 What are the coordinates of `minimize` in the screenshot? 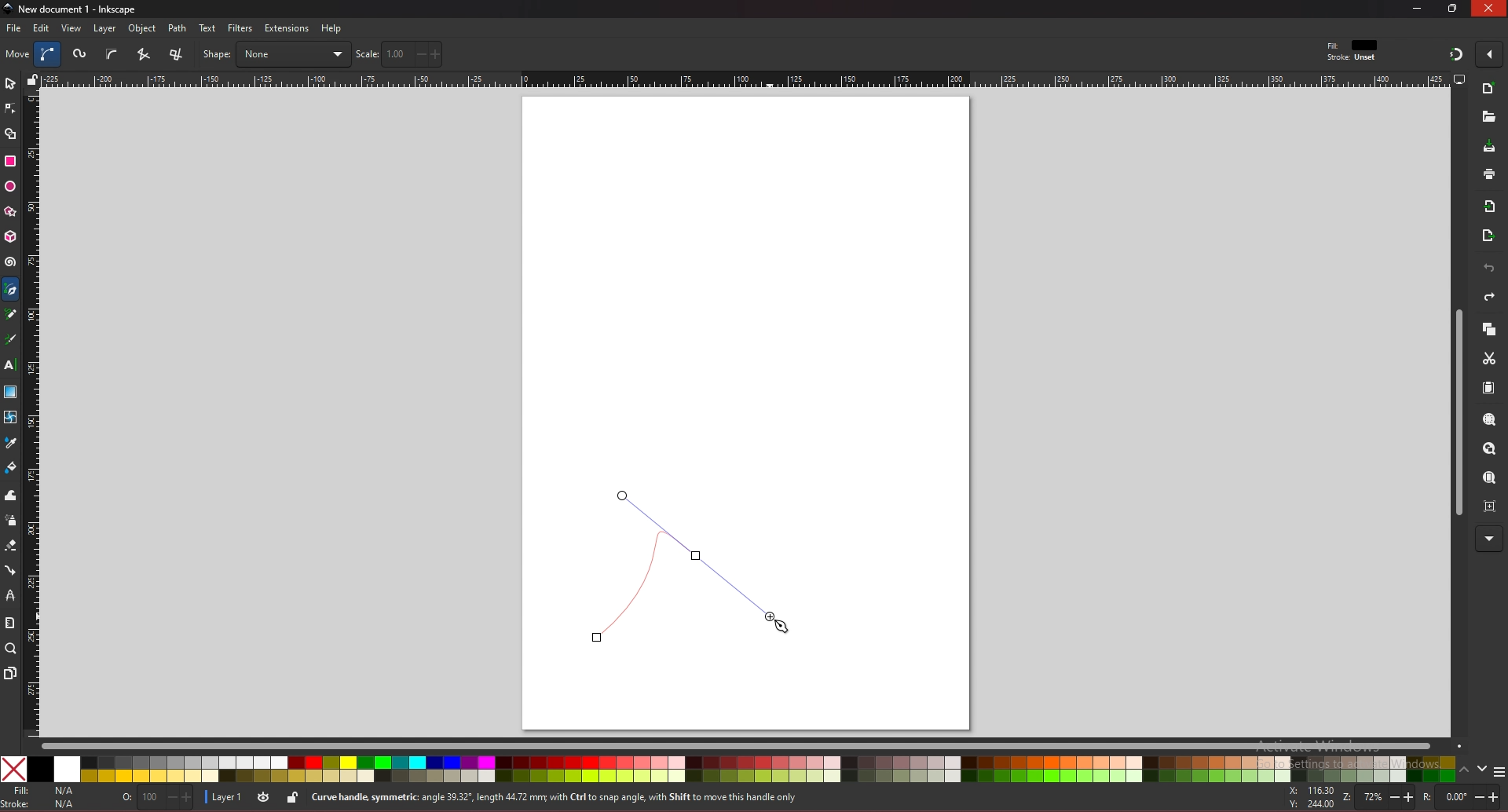 It's located at (1418, 8).